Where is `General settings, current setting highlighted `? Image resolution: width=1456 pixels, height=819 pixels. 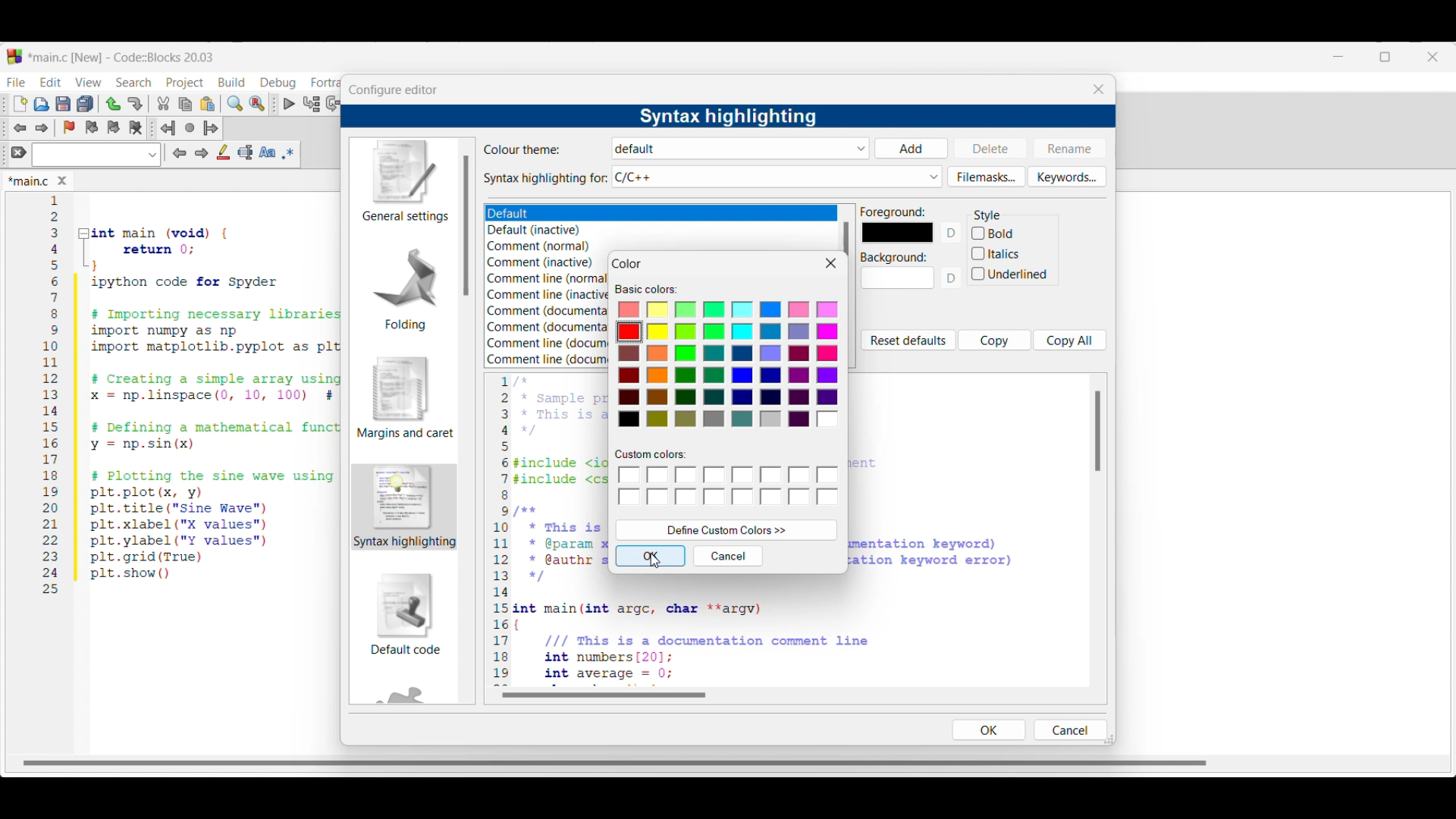 General settings, current setting highlighted  is located at coordinates (403, 182).